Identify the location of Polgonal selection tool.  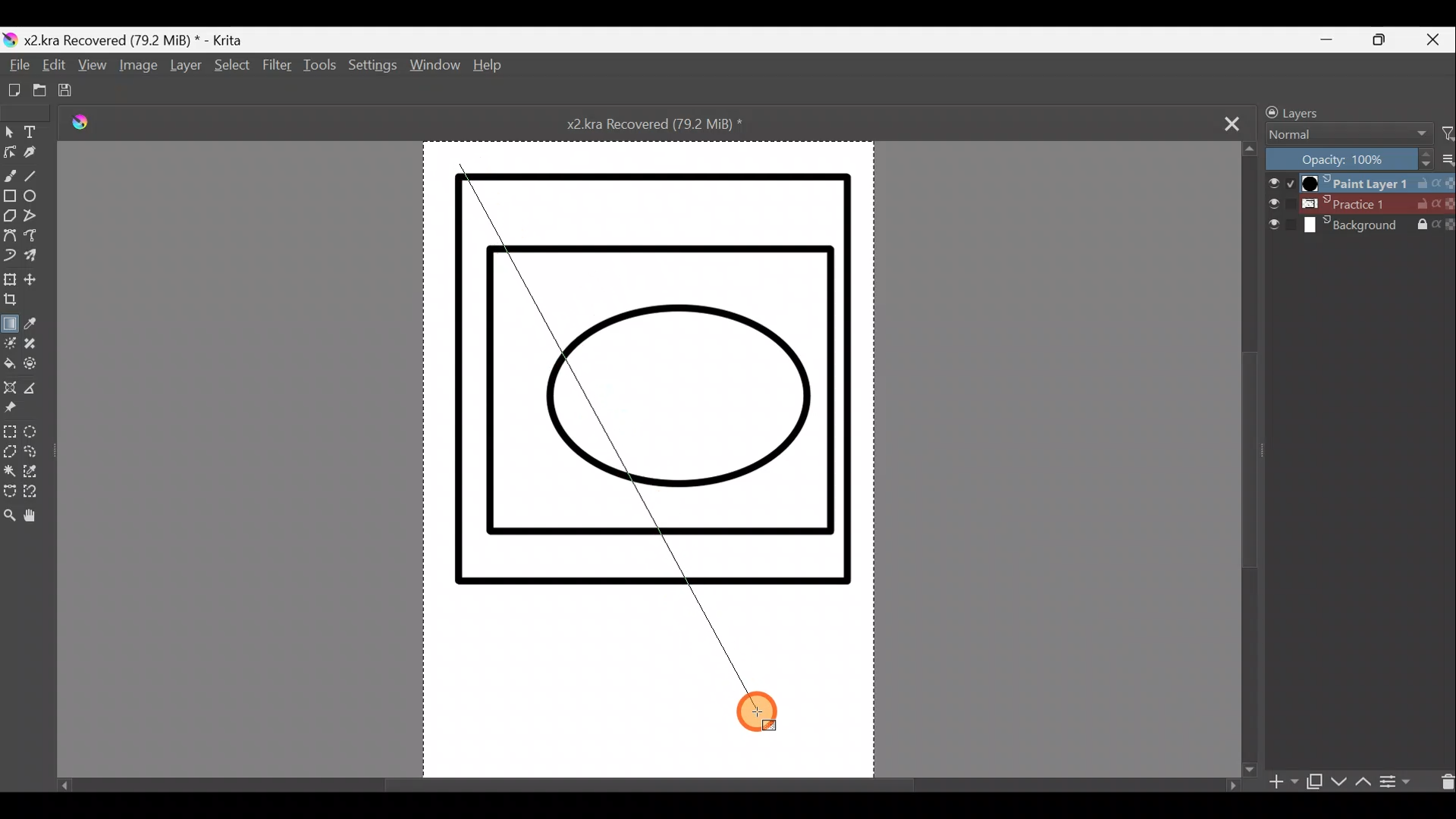
(9, 453).